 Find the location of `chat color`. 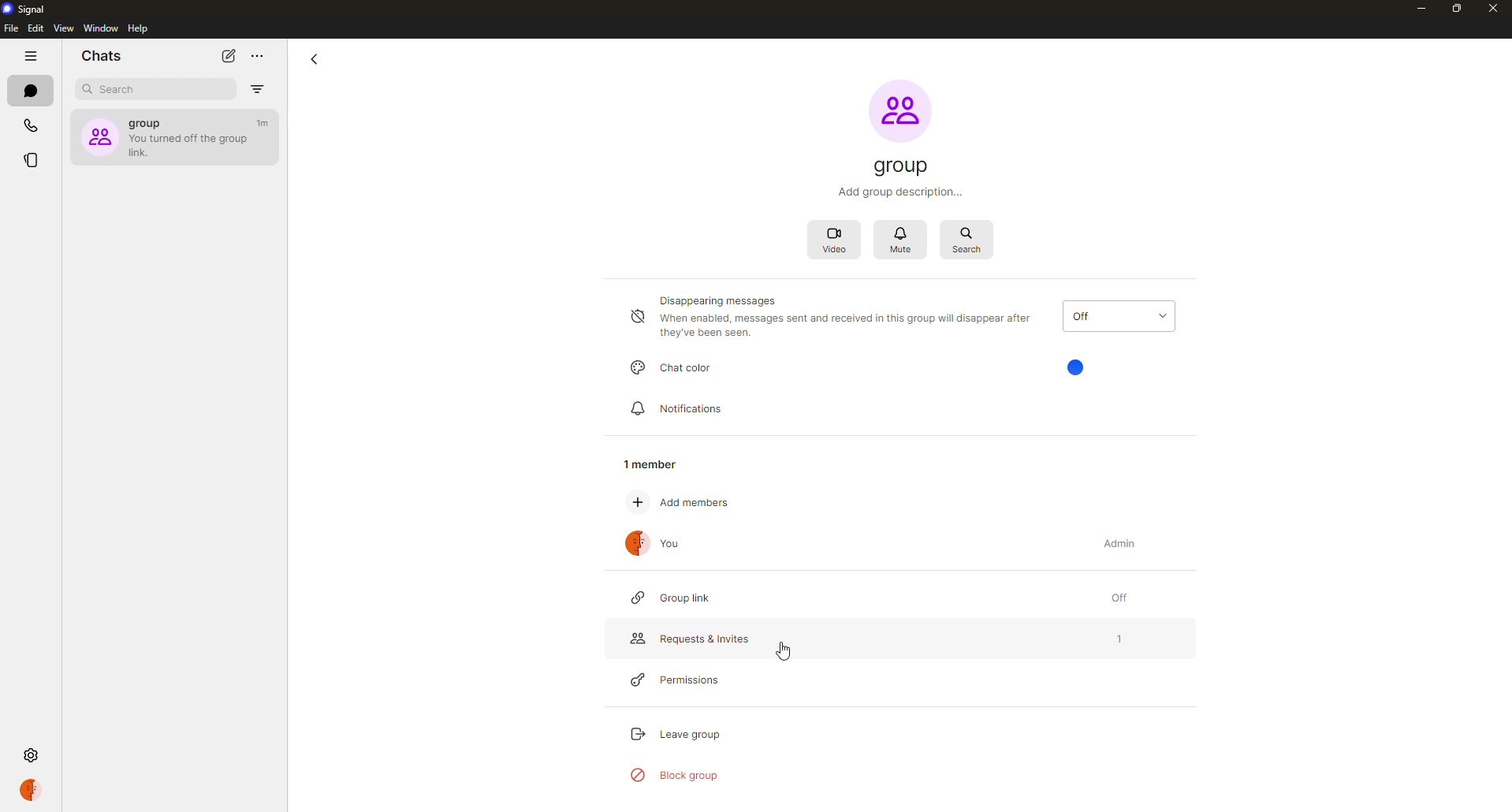

chat color is located at coordinates (676, 369).